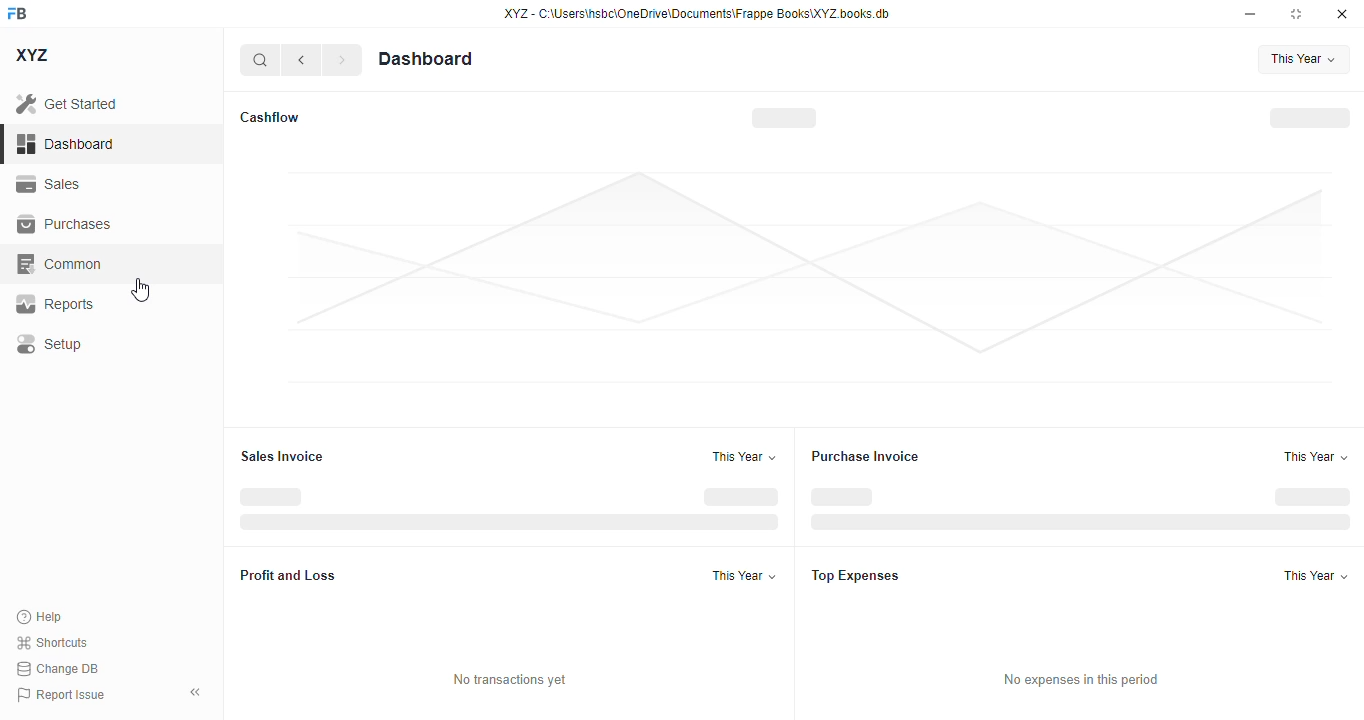  Describe the element at coordinates (66, 224) in the screenshot. I see `purchases` at that location.